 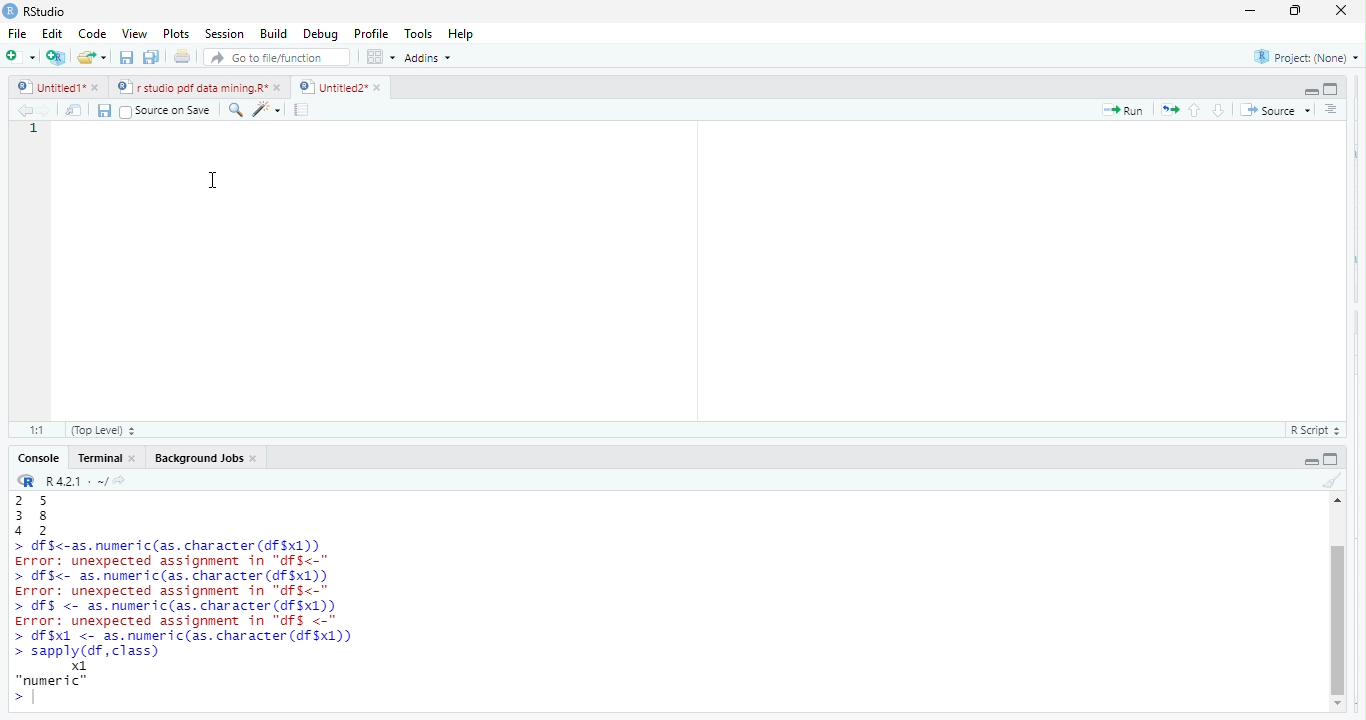 I want to click on close, so click(x=101, y=87).